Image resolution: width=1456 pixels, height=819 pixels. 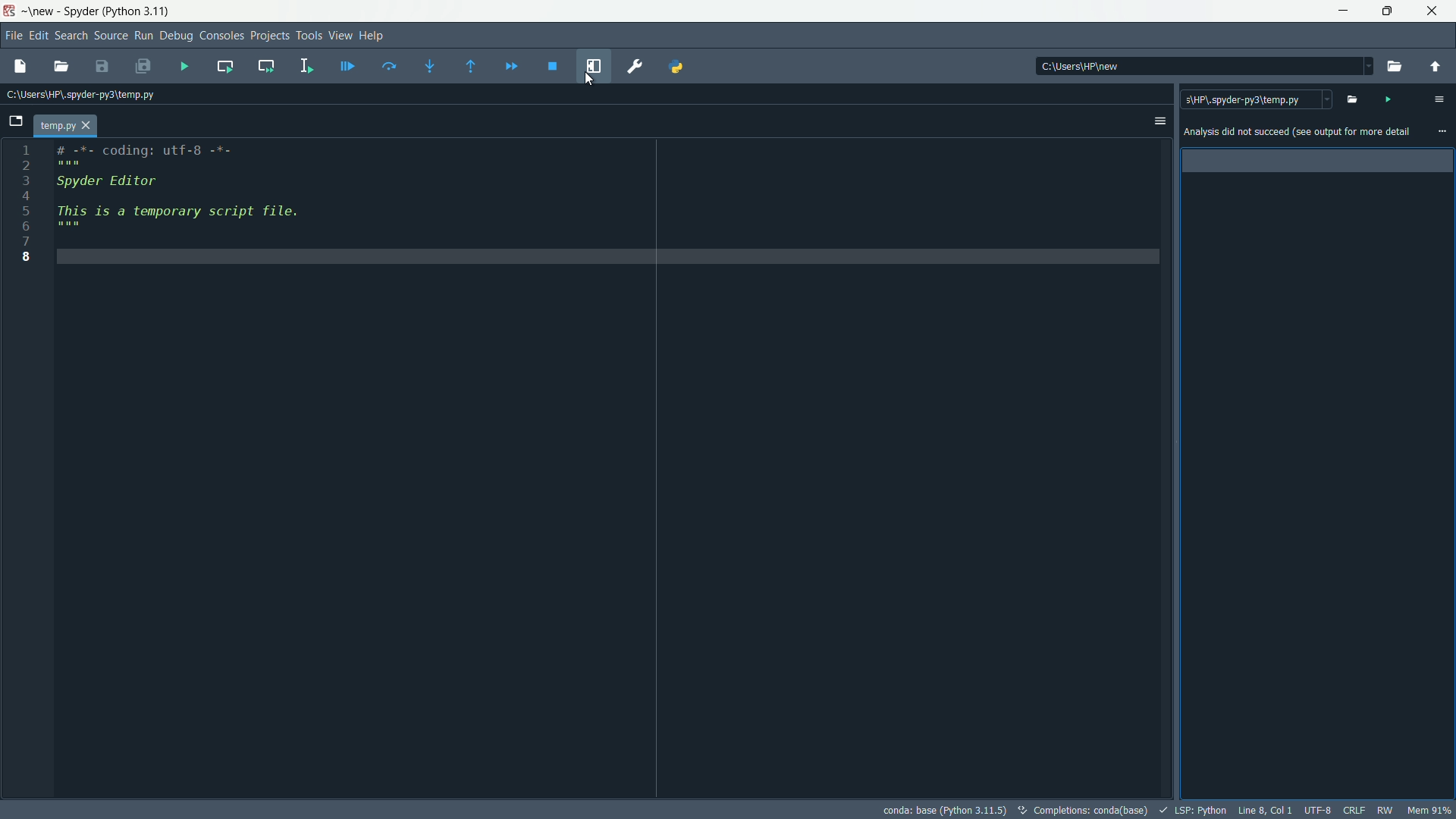 I want to click on maximize, so click(x=1391, y=11).